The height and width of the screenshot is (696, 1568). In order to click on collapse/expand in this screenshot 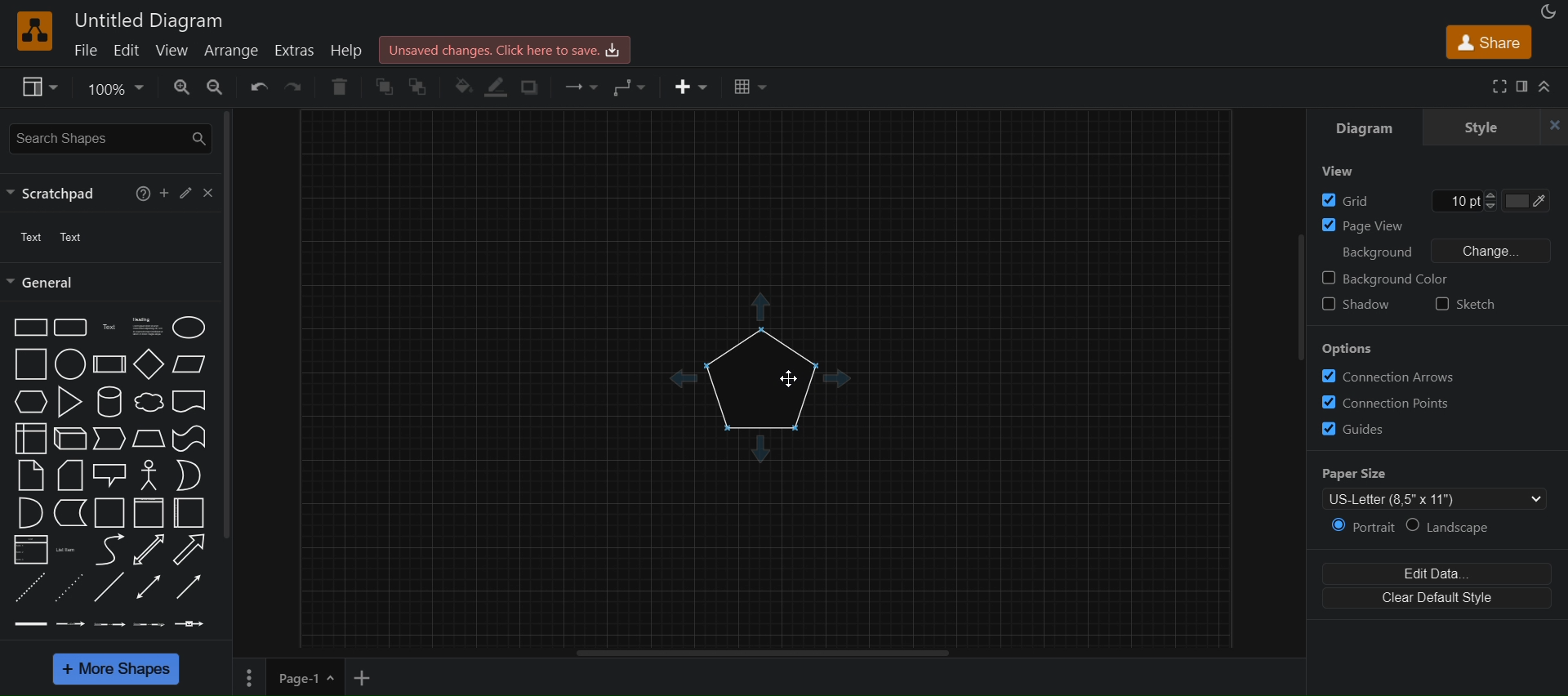, I will do `click(1546, 86)`.